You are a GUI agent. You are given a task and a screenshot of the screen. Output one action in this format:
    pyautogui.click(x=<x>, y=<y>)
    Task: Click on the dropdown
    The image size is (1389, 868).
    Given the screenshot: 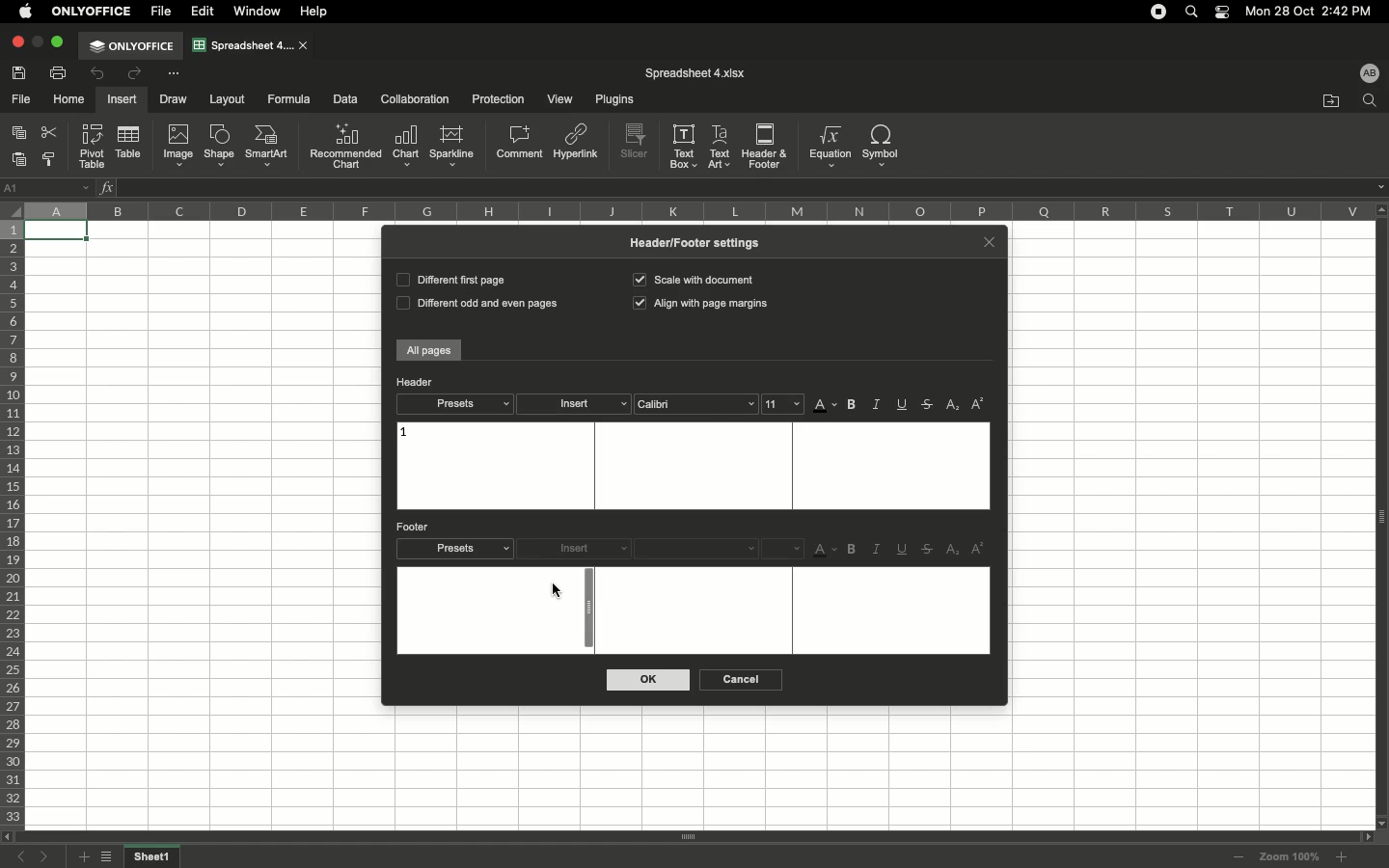 What is the action you would take?
    pyautogui.click(x=1380, y=187)
    